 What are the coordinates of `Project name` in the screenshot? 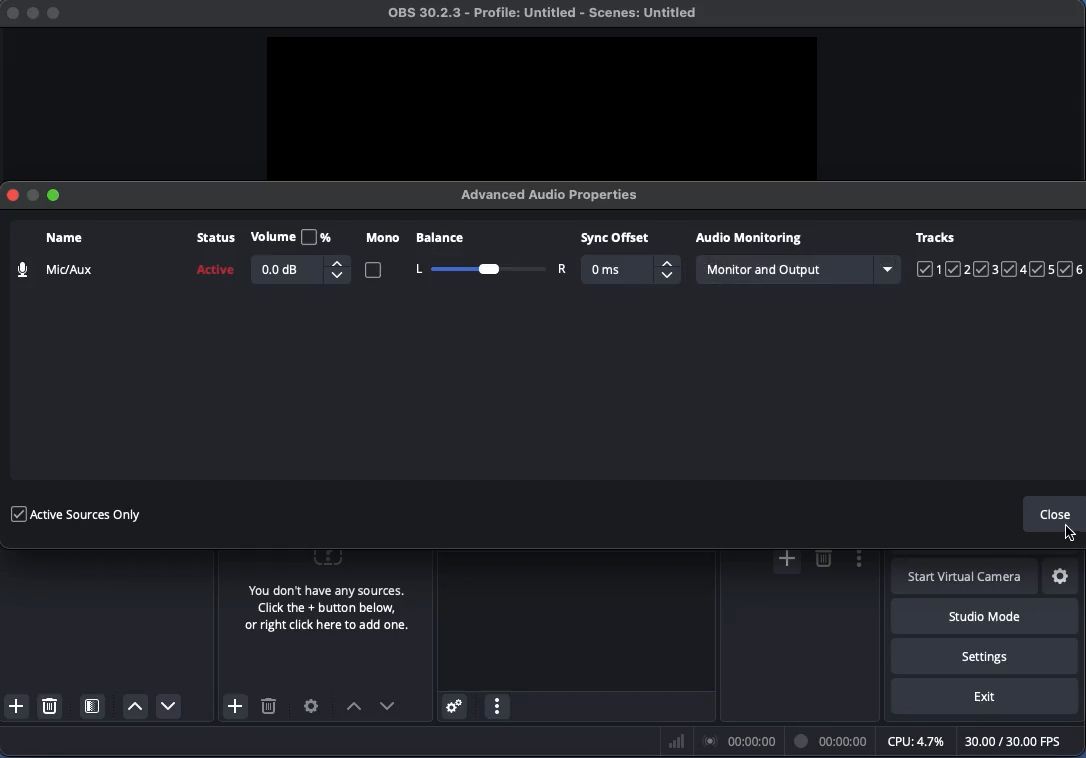 It's located at (548, 14).